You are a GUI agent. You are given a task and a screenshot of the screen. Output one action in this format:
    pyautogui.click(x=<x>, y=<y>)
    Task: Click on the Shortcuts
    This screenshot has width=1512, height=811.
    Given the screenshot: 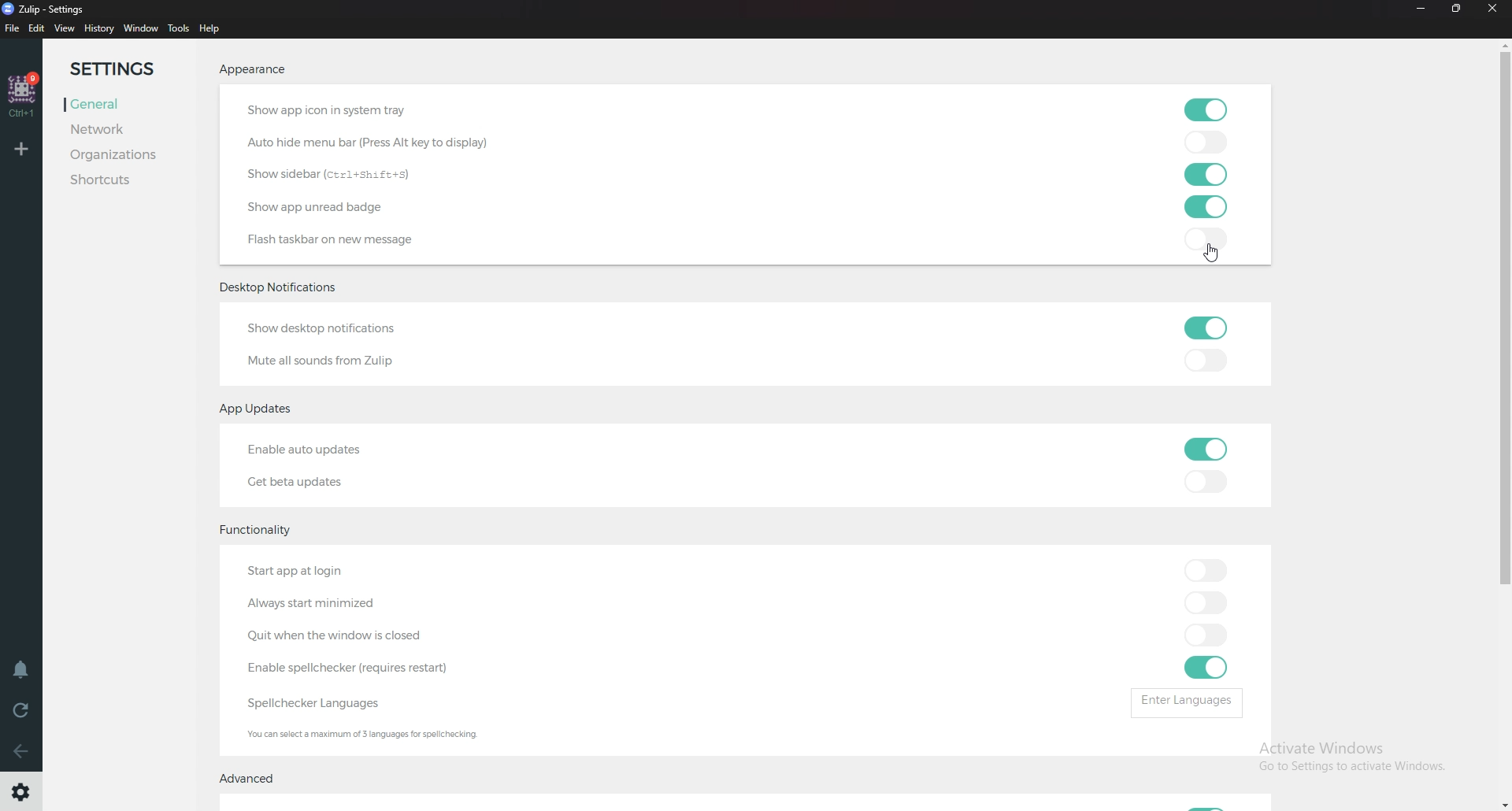 What is the action you would take?
    pyautogui.click(x=119, y=182)
    